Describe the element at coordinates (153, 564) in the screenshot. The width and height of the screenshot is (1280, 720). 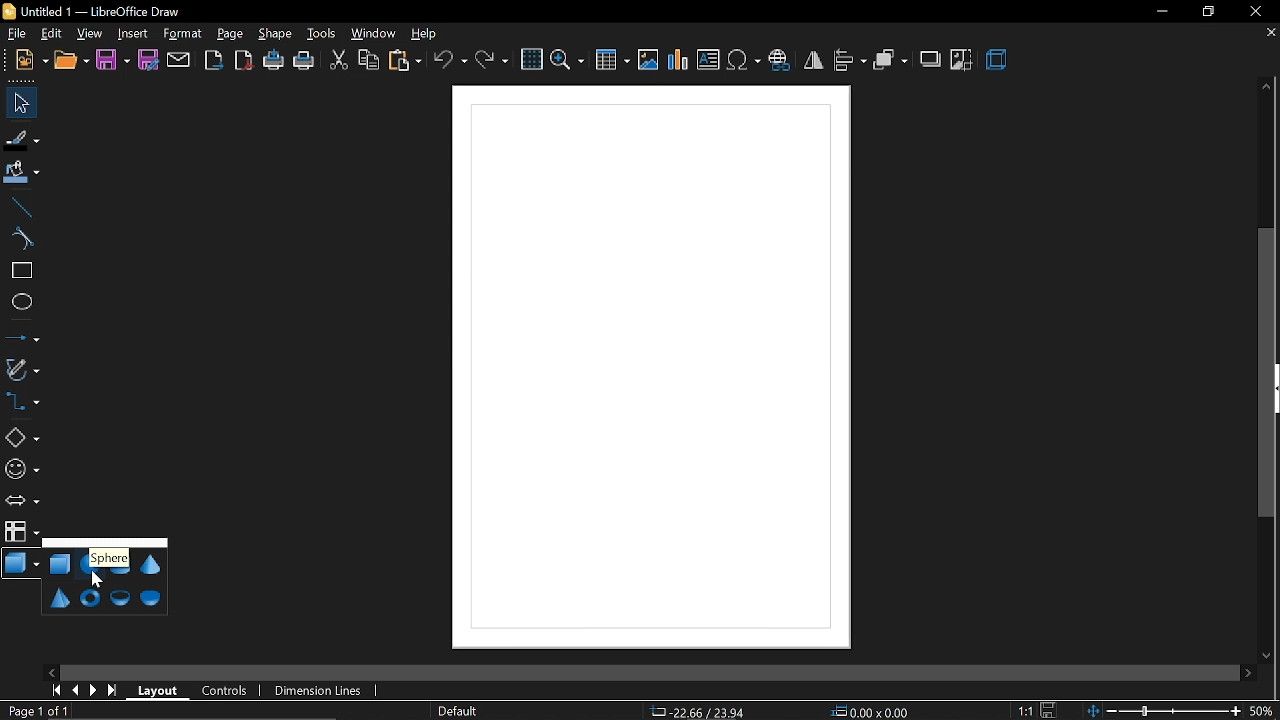
I see `cone` at that location.